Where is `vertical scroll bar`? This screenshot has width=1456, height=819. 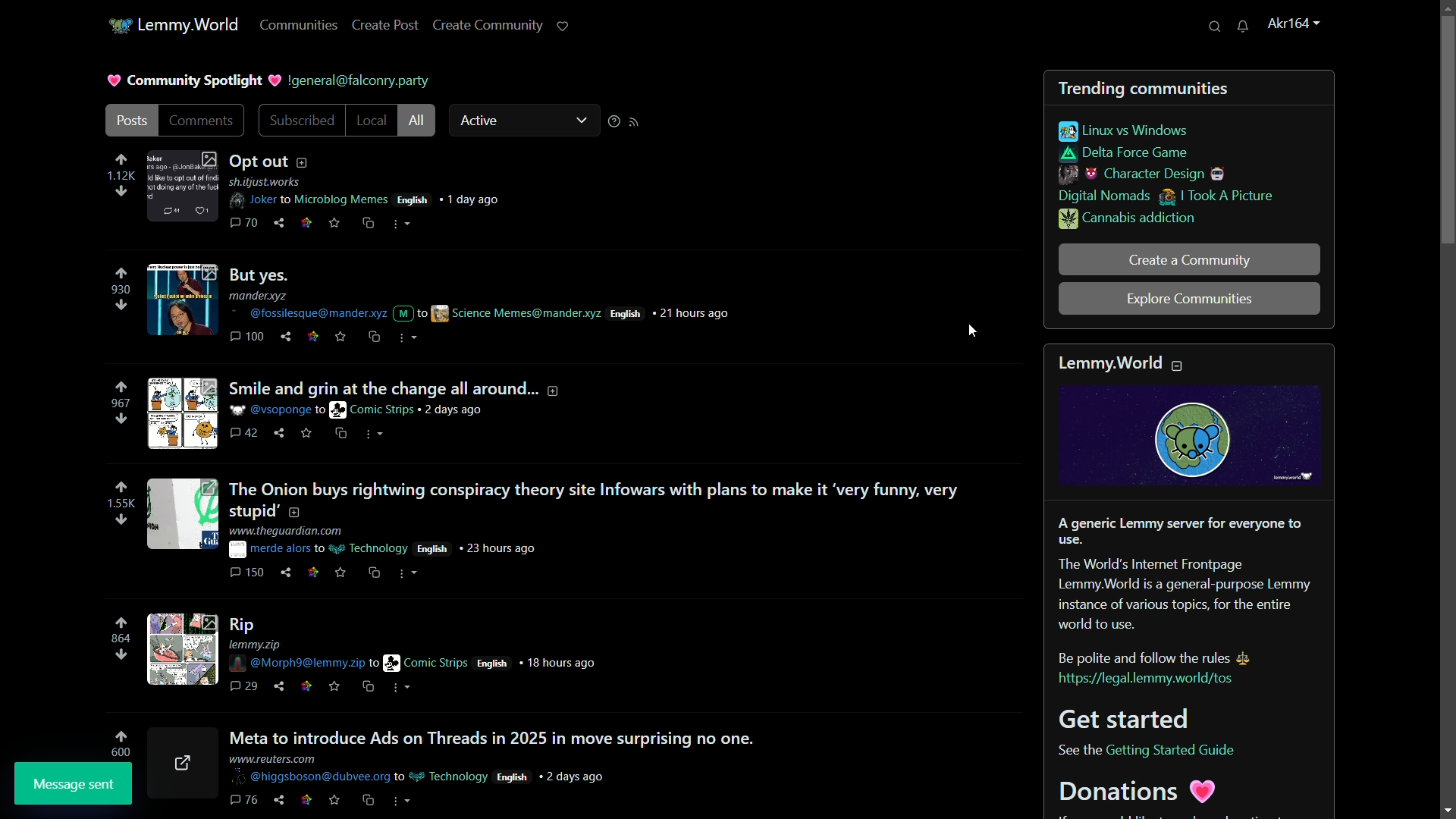
vertical scroll bar is located at coordinates (1442, 132).